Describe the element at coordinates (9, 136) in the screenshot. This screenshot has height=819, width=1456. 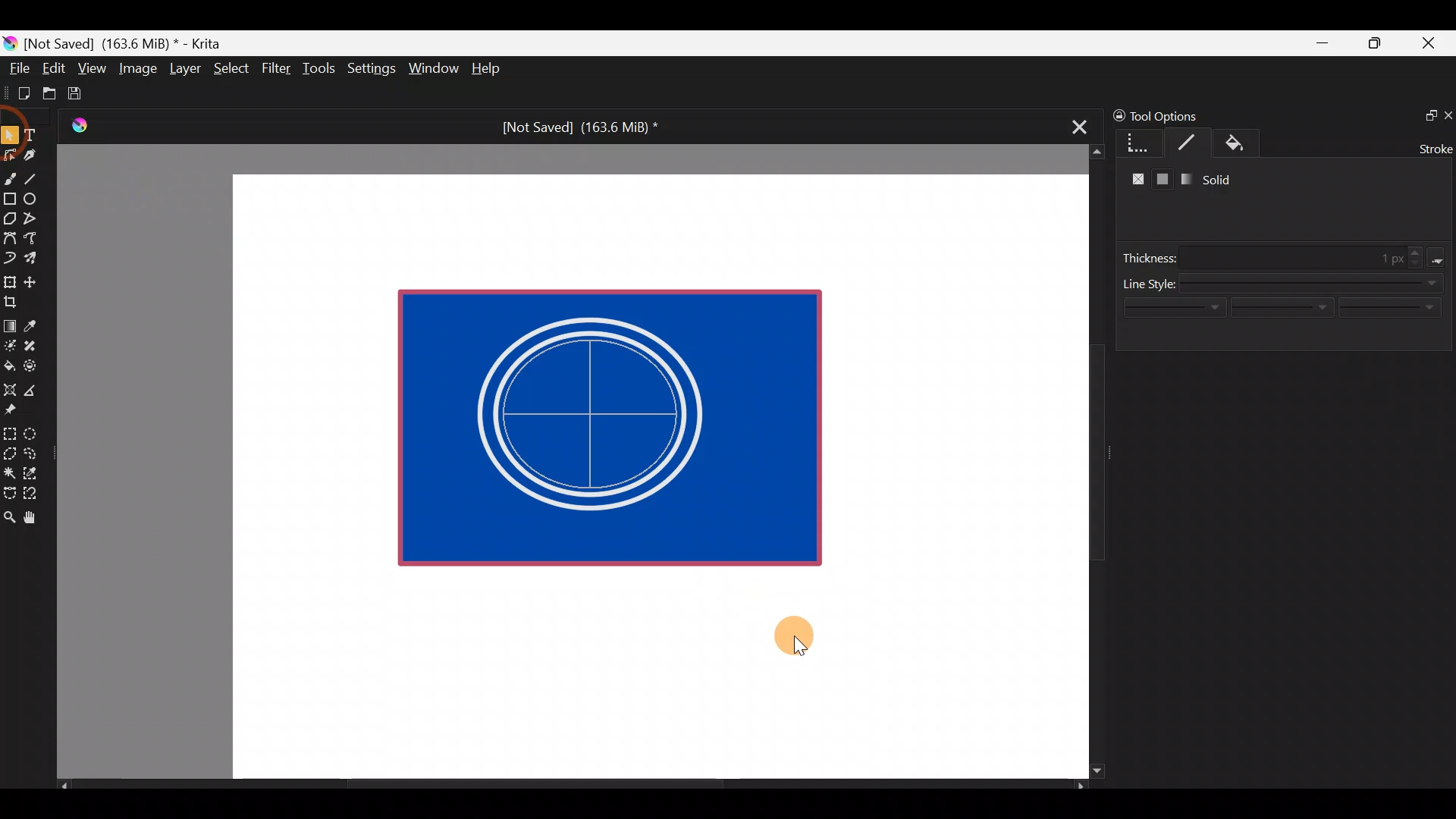
I see `Select shapes tool` at that location.